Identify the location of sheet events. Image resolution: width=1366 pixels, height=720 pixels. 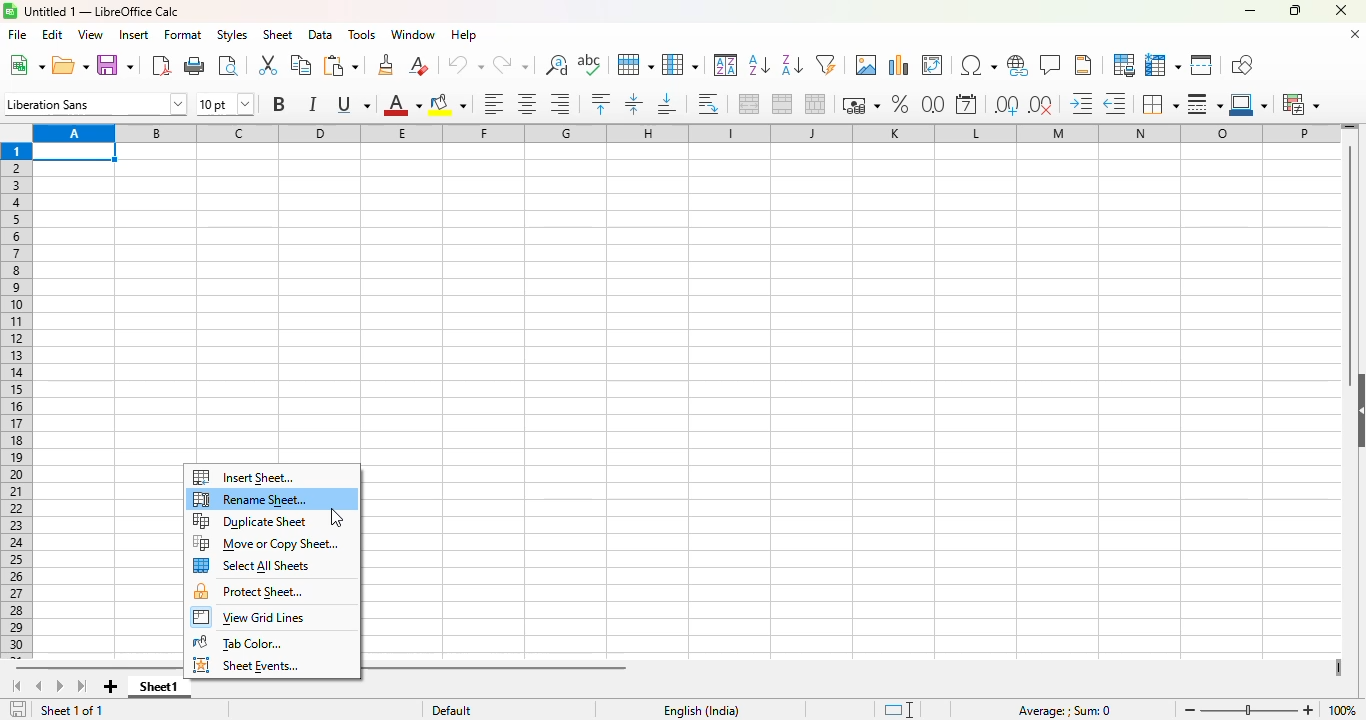
(246, 665).